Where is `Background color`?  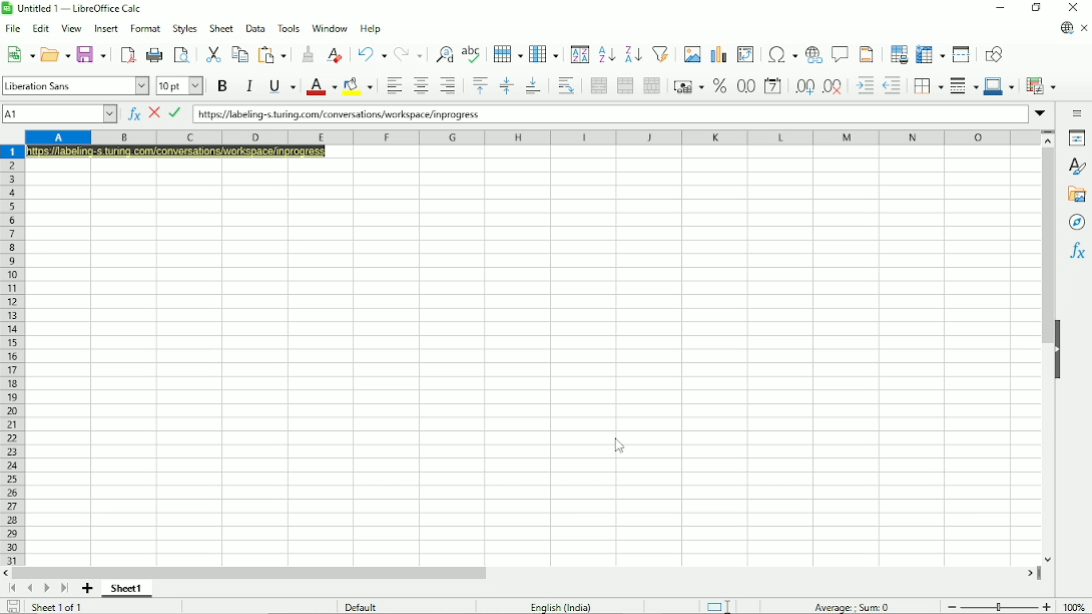 Background color is located at coordinates (359, 86).